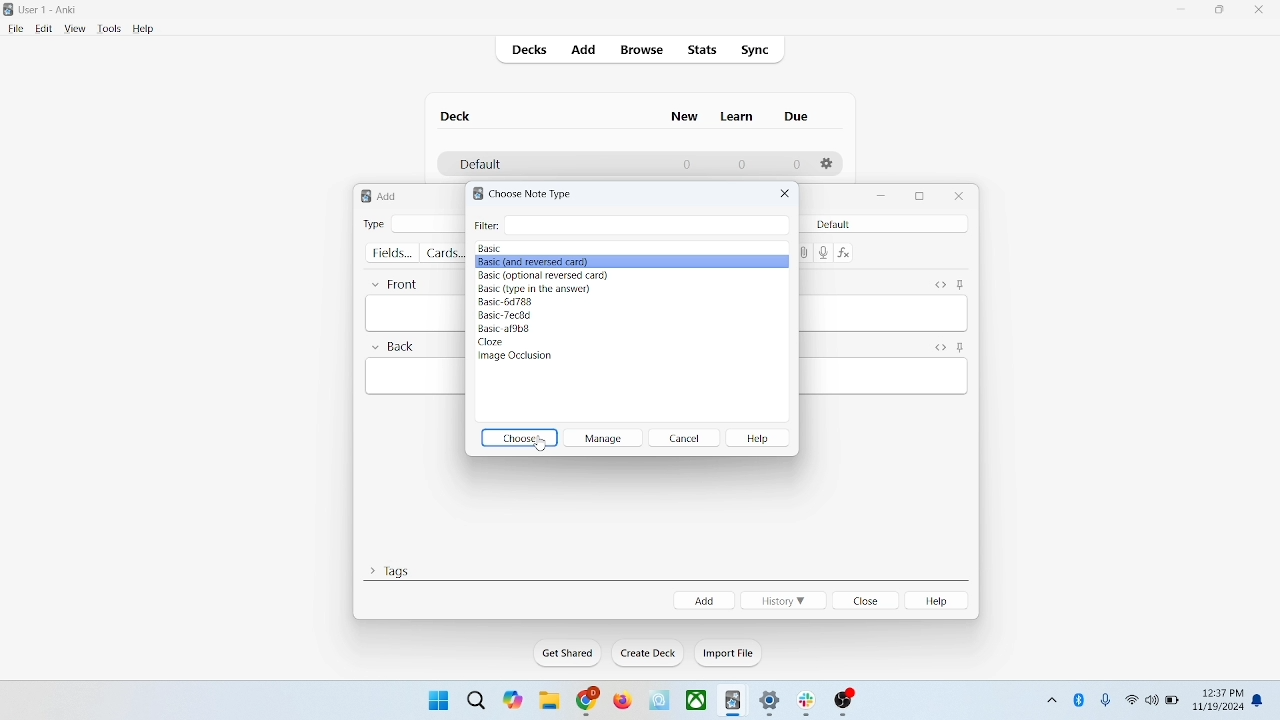  I want to click on icon, so click(734, 702).